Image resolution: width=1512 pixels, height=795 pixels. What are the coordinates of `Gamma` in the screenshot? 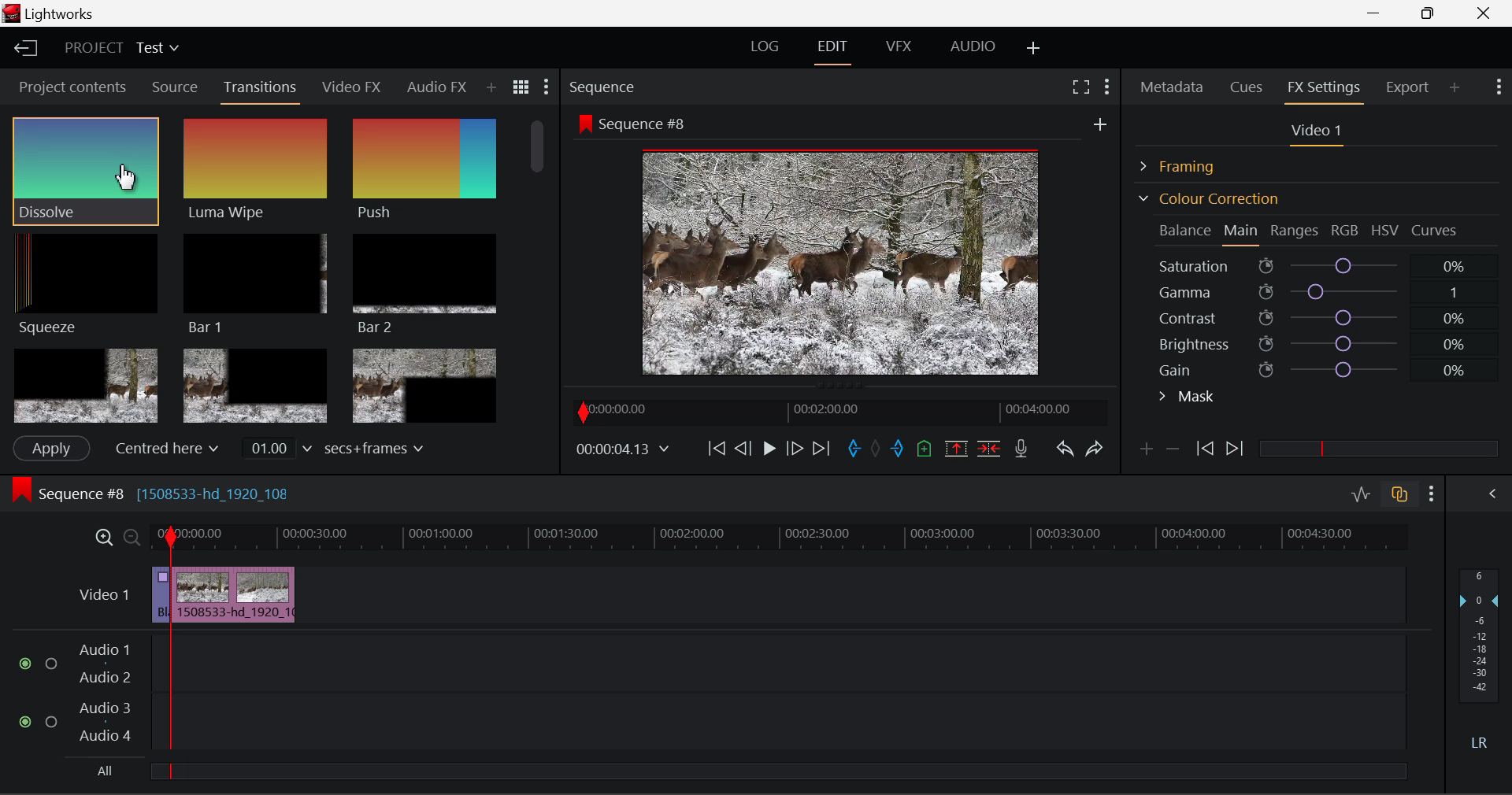 It's located at (1320, 292).